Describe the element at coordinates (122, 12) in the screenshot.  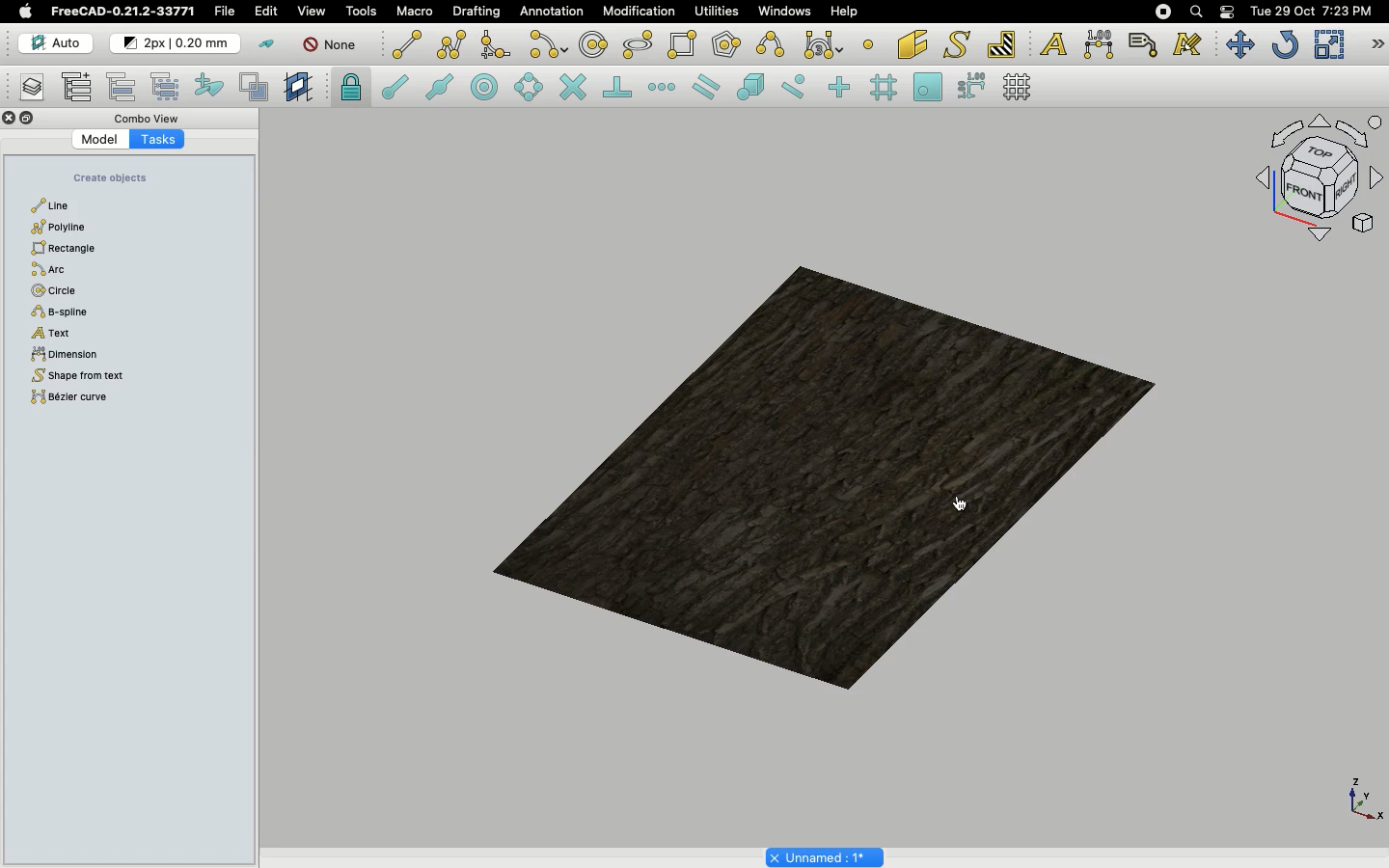
I see `FreeCAD` at that location.